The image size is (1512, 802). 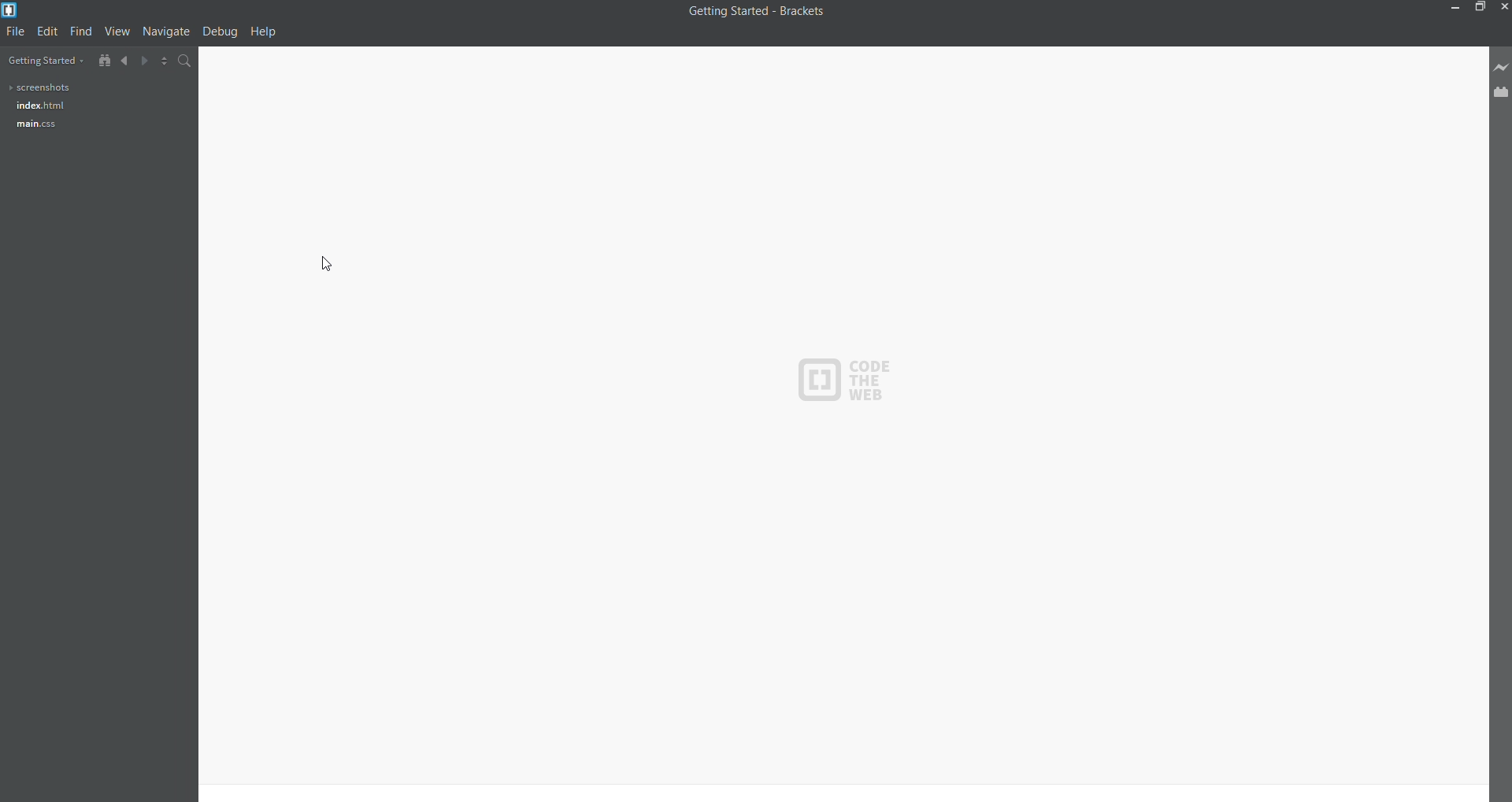 What do you see at coordinates (329, 260) in the screenshot?
I see `cursor` at bounding box center [329, 260].